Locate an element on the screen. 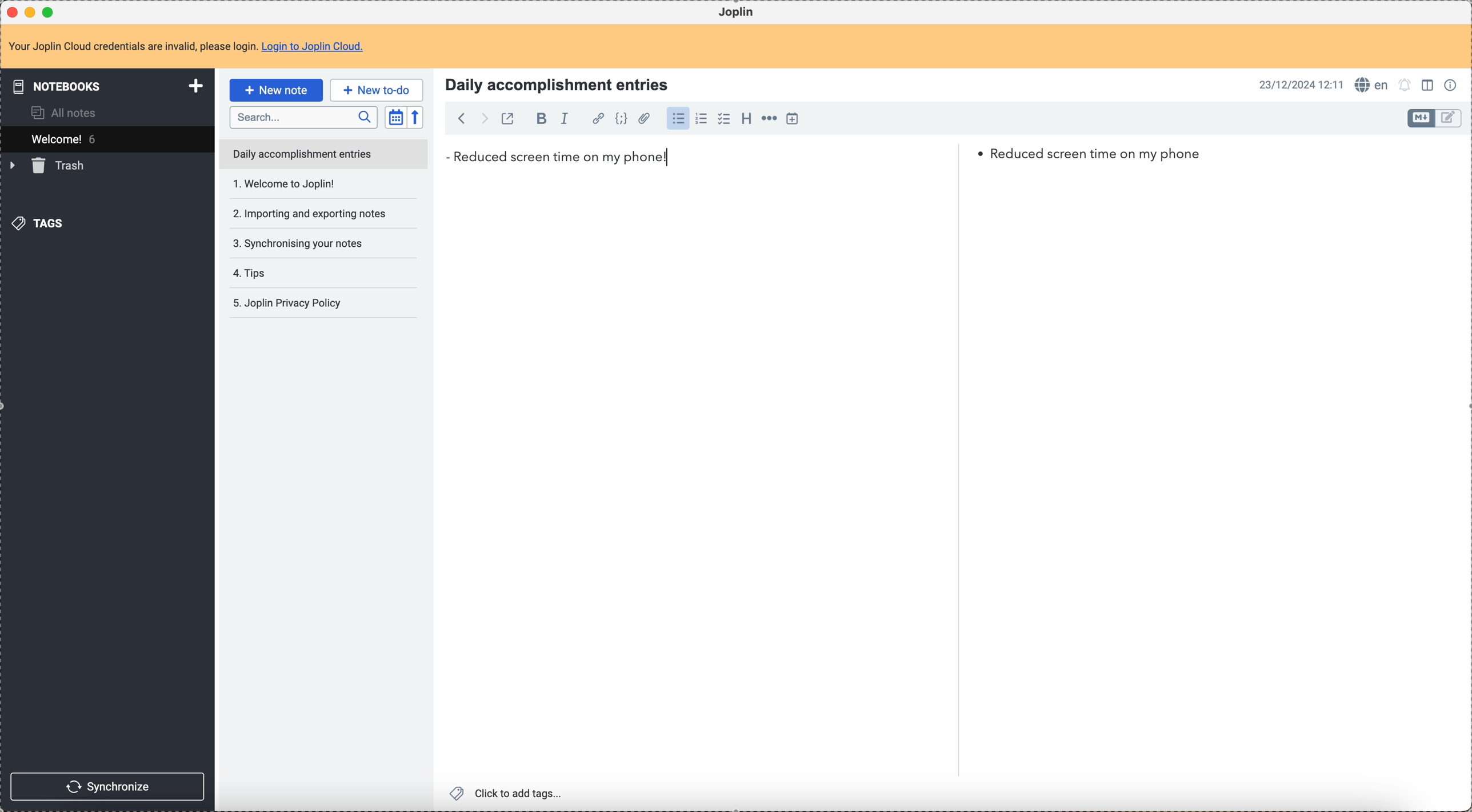 This screenshot has height=812, width=1472. toggle edit layout is located at coordinates (1449, 118).